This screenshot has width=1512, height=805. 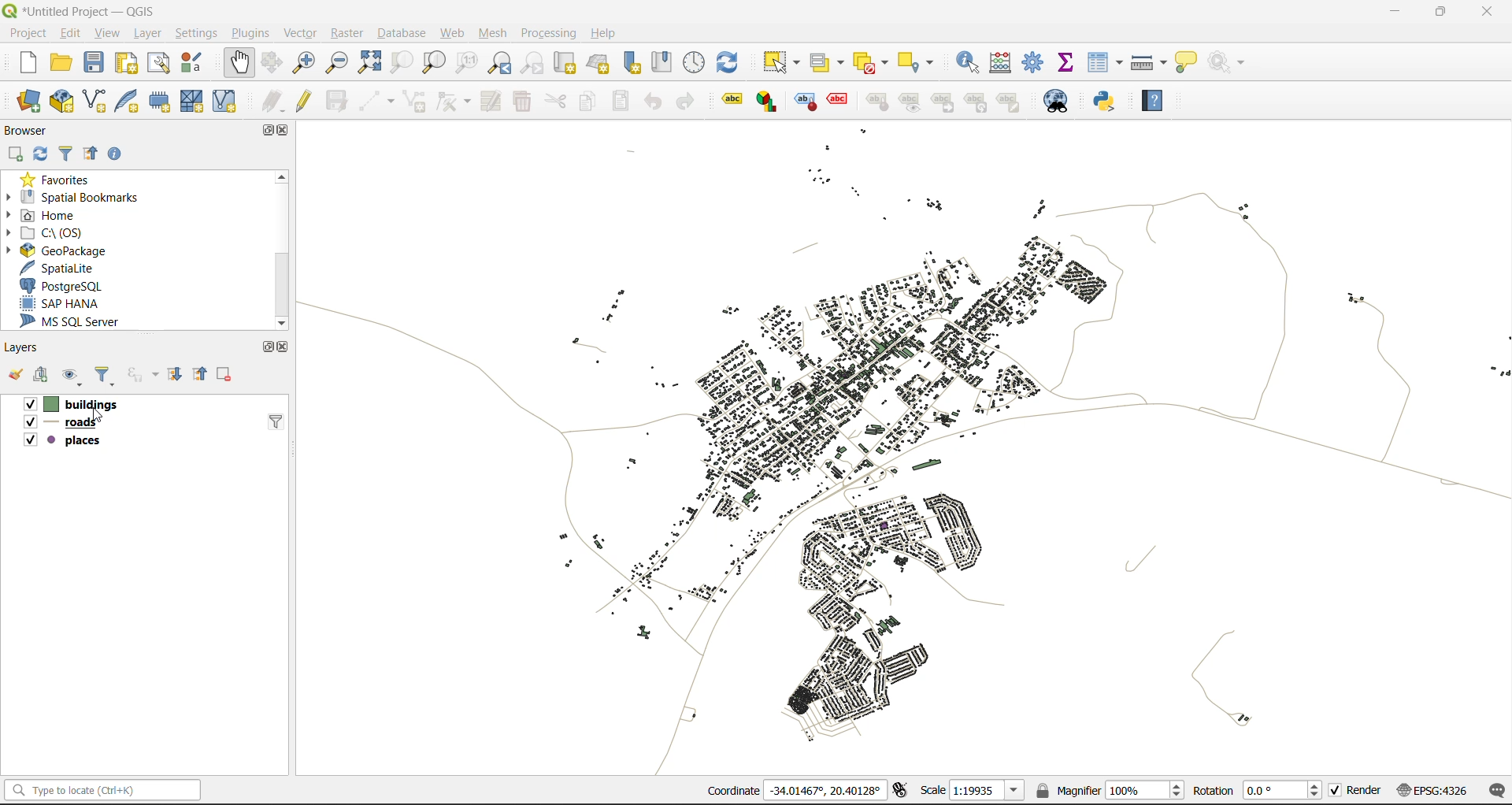 What do you see at coordinates (239, 65) in the screenshot?
I see `pan map` at bounding box center [239, 65].